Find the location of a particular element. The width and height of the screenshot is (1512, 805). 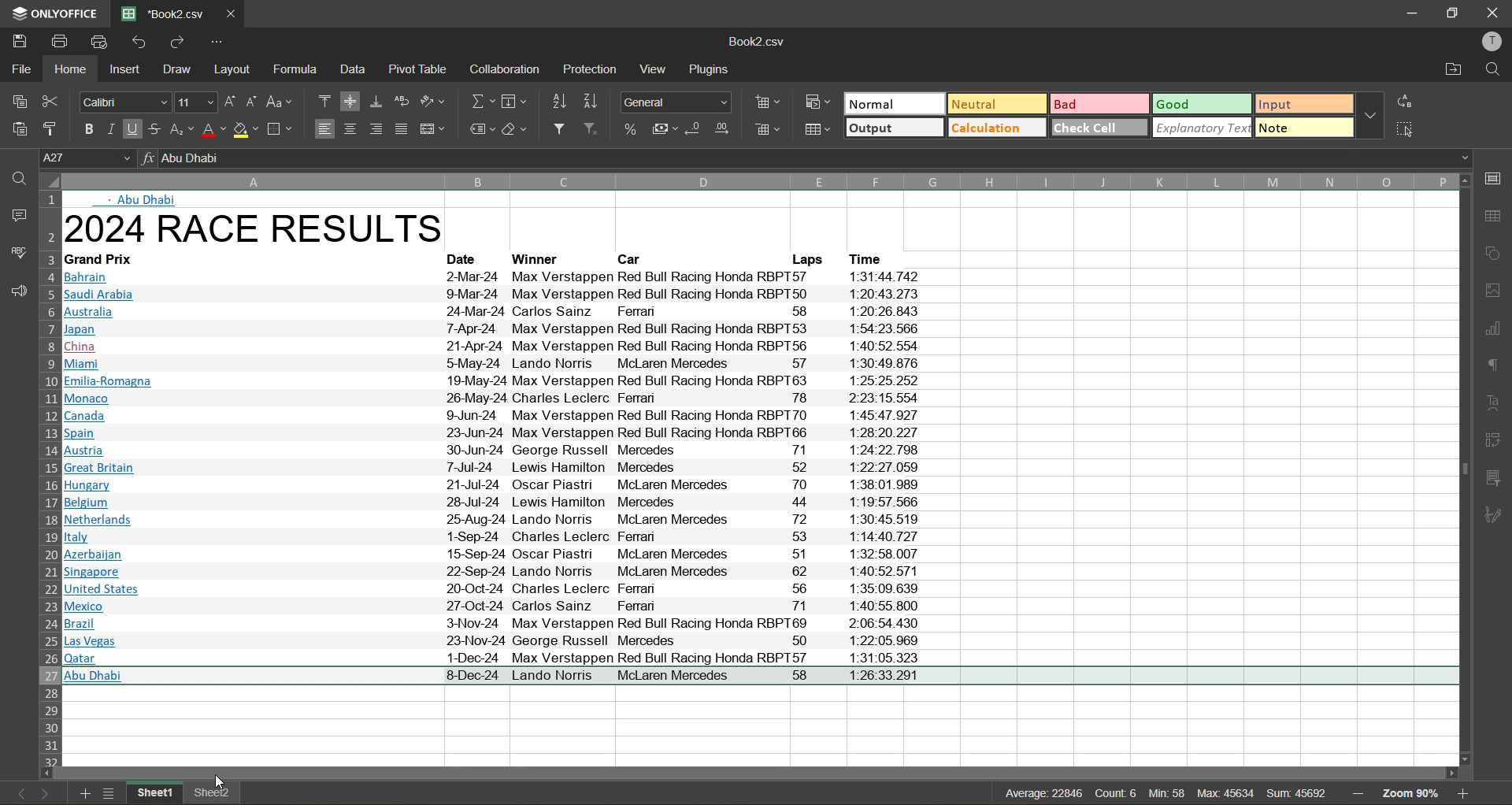

delete cells is located at coordinates (767, 132).